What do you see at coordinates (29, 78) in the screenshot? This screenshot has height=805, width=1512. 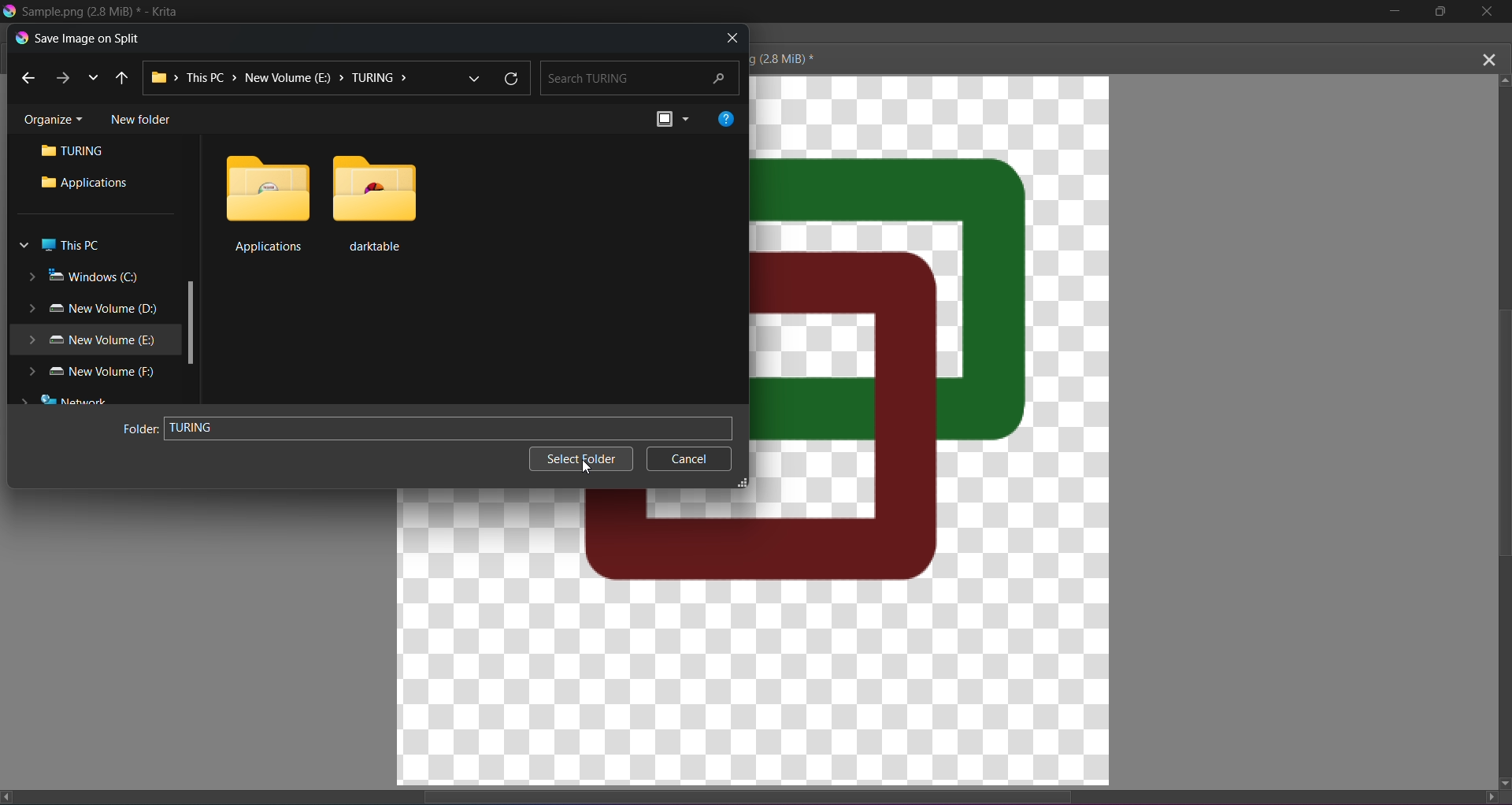 I see `Previous` at bounding box center [29, 78].